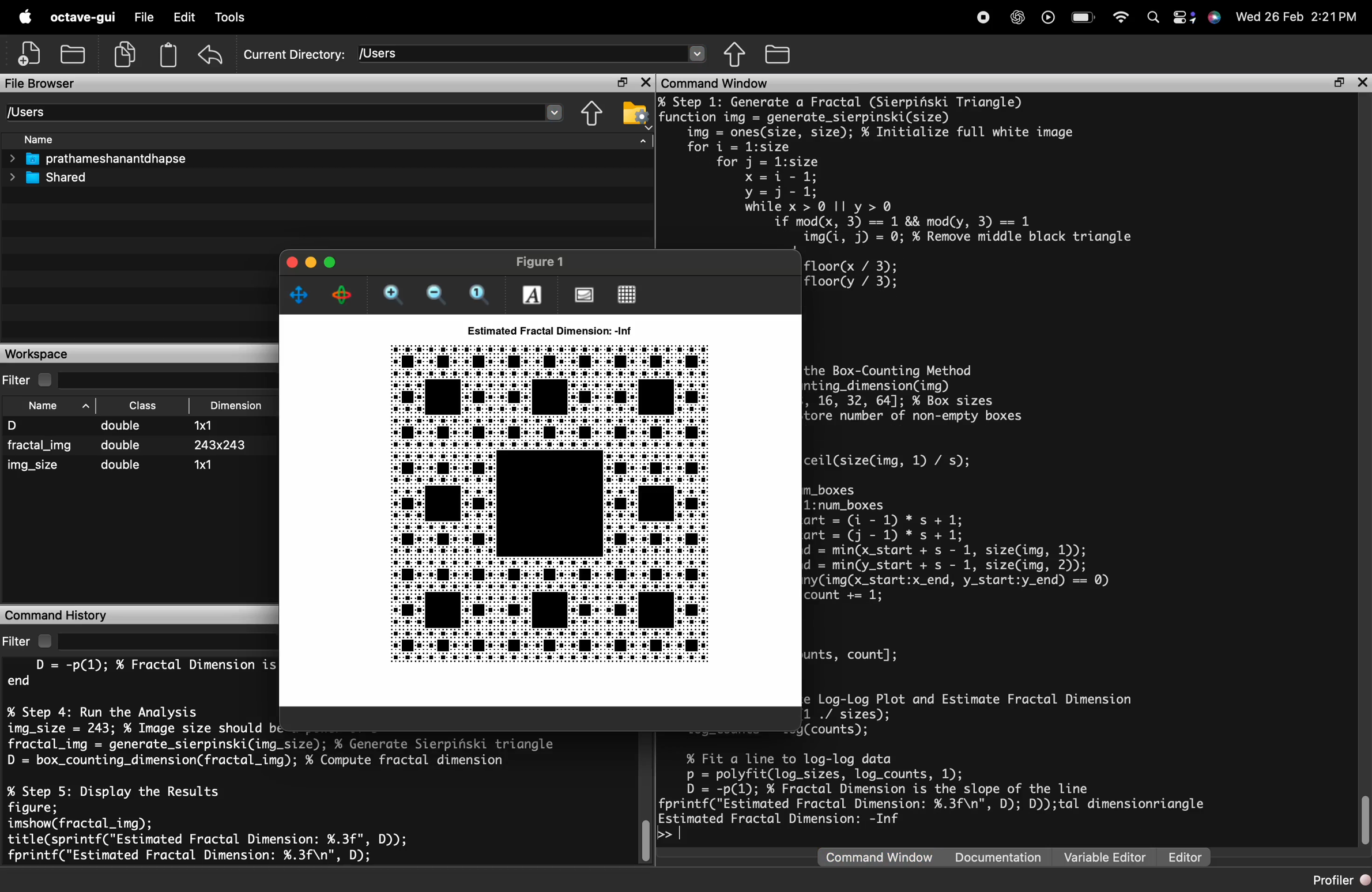 The height and width of the screenshot is (892, 1372). I want to click on one directory up, so click(735, 54).